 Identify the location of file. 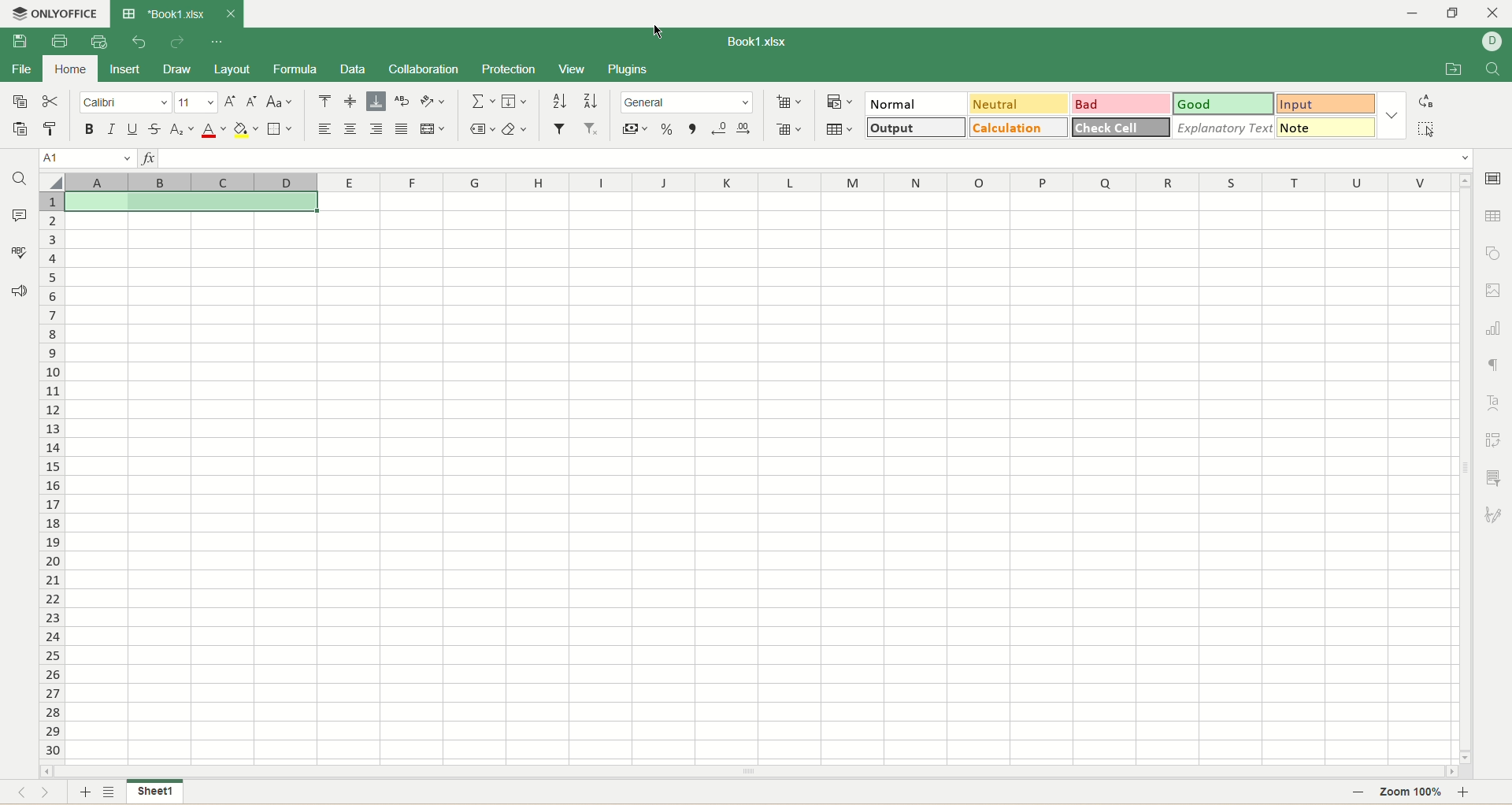
(20, 70).